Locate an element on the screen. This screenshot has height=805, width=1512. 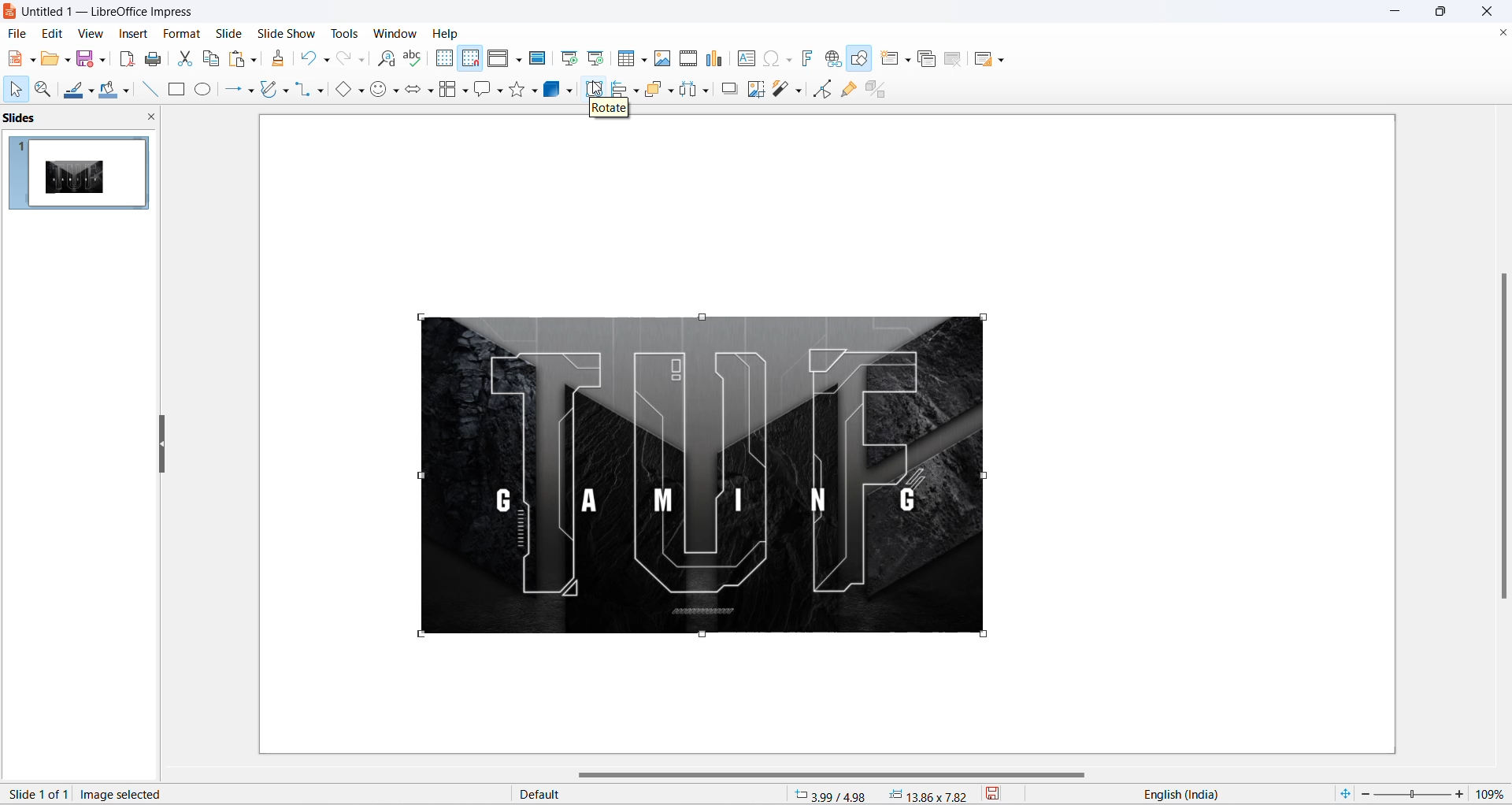
redo options is located at coordinates (363, 61).